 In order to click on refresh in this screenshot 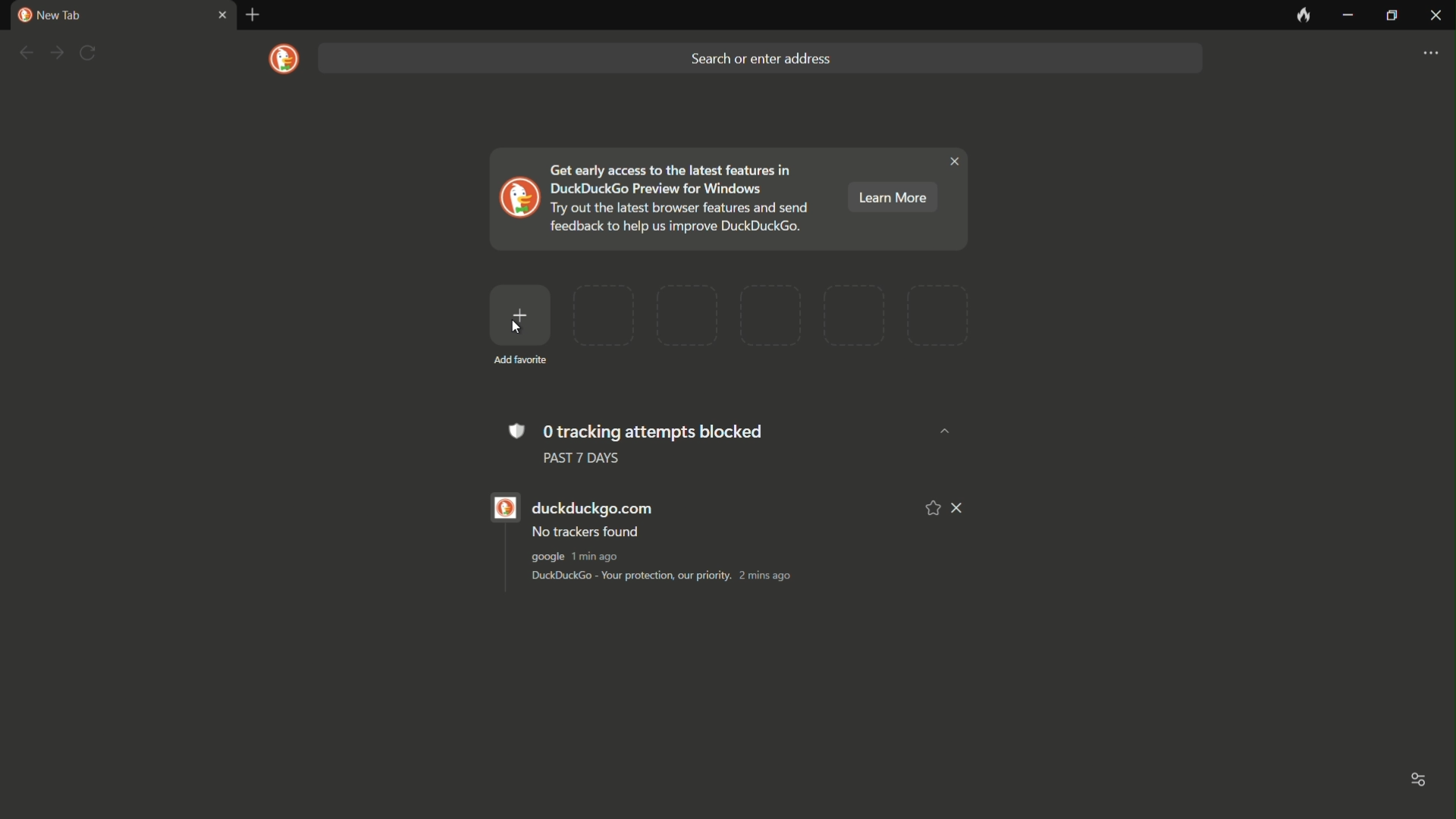, I will do `click(88, 53)`.